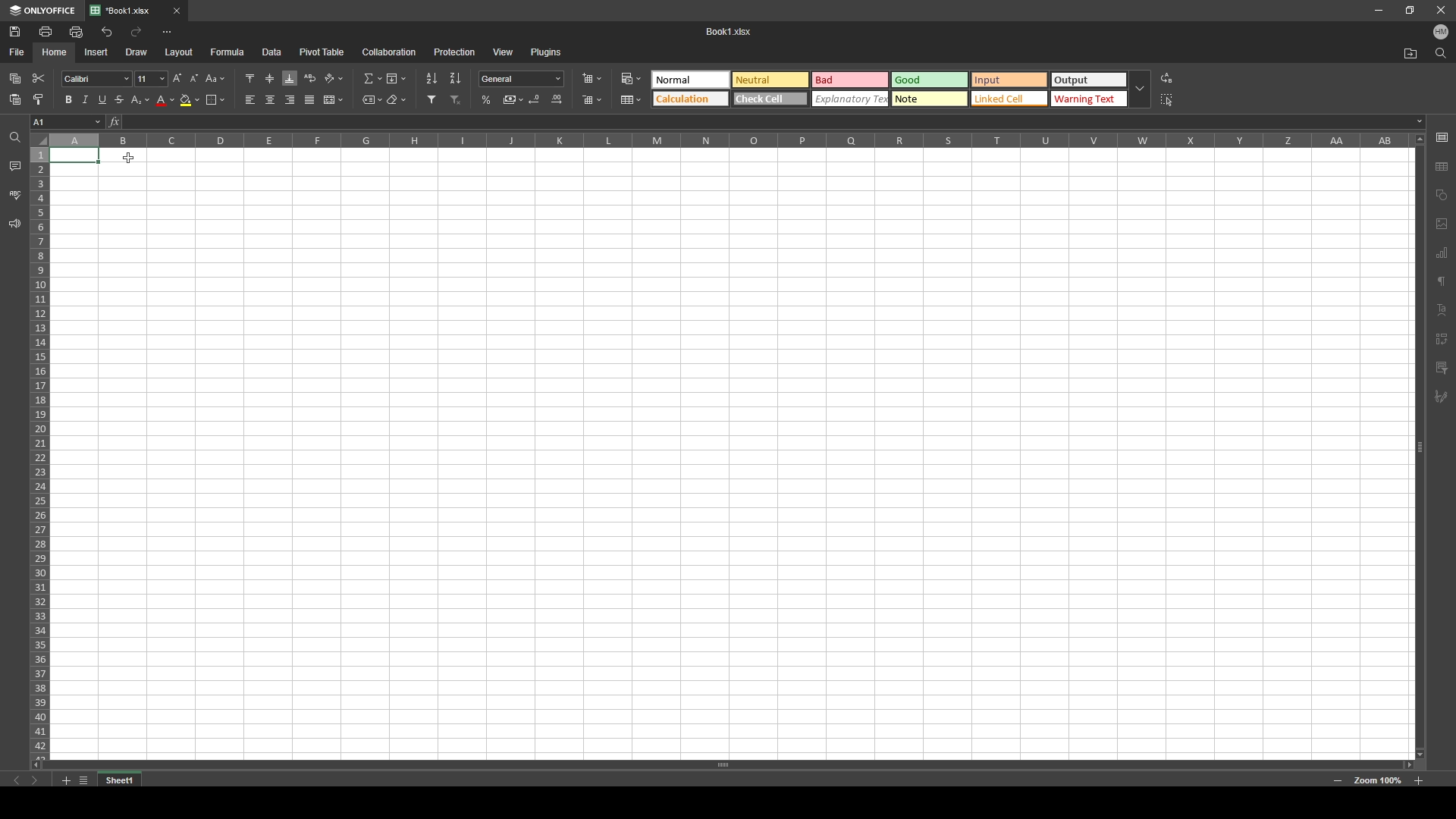  I want to click on sort descending, so click(455, 78).